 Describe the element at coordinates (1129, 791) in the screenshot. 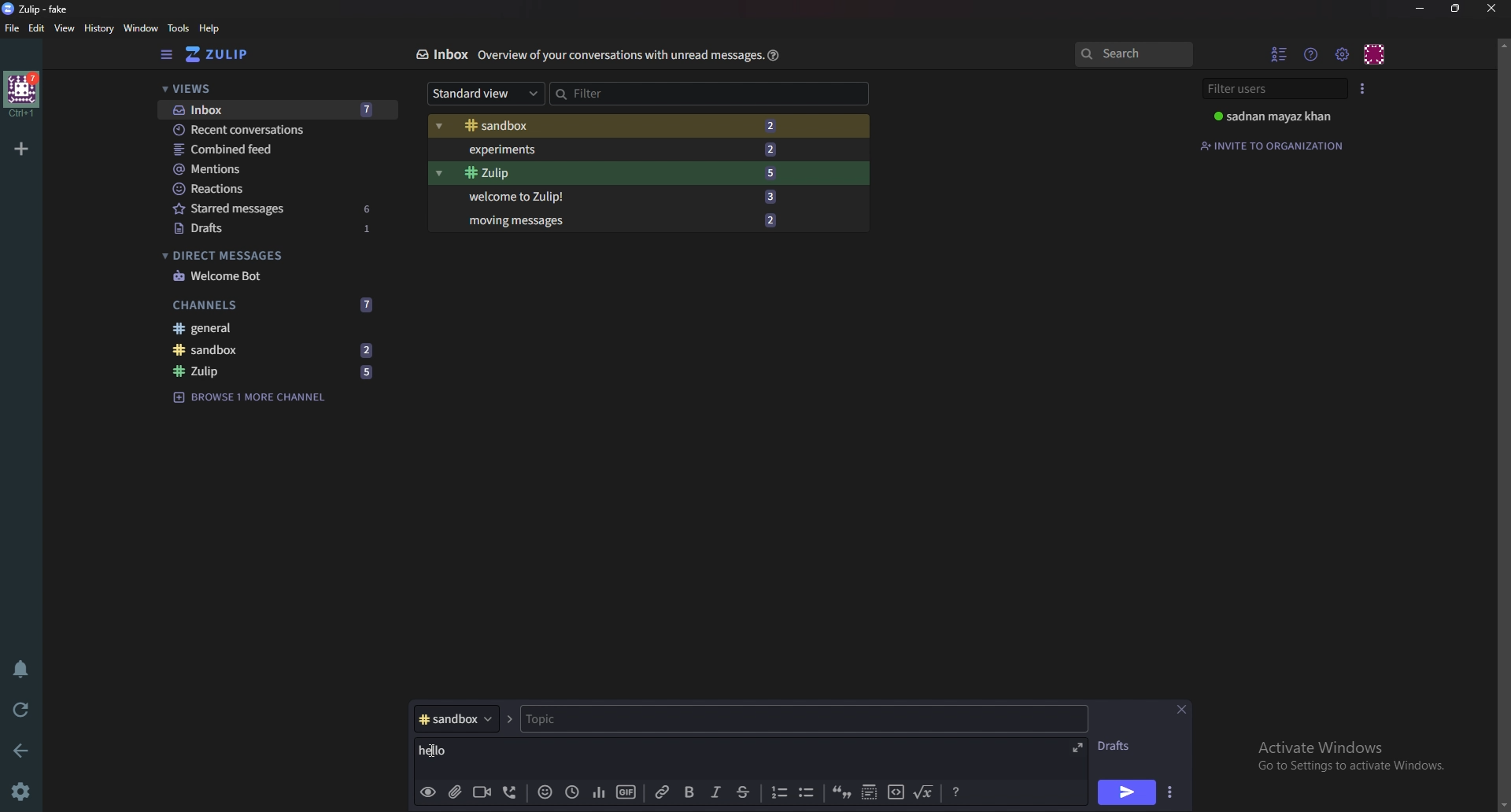

I see `send` at that location.